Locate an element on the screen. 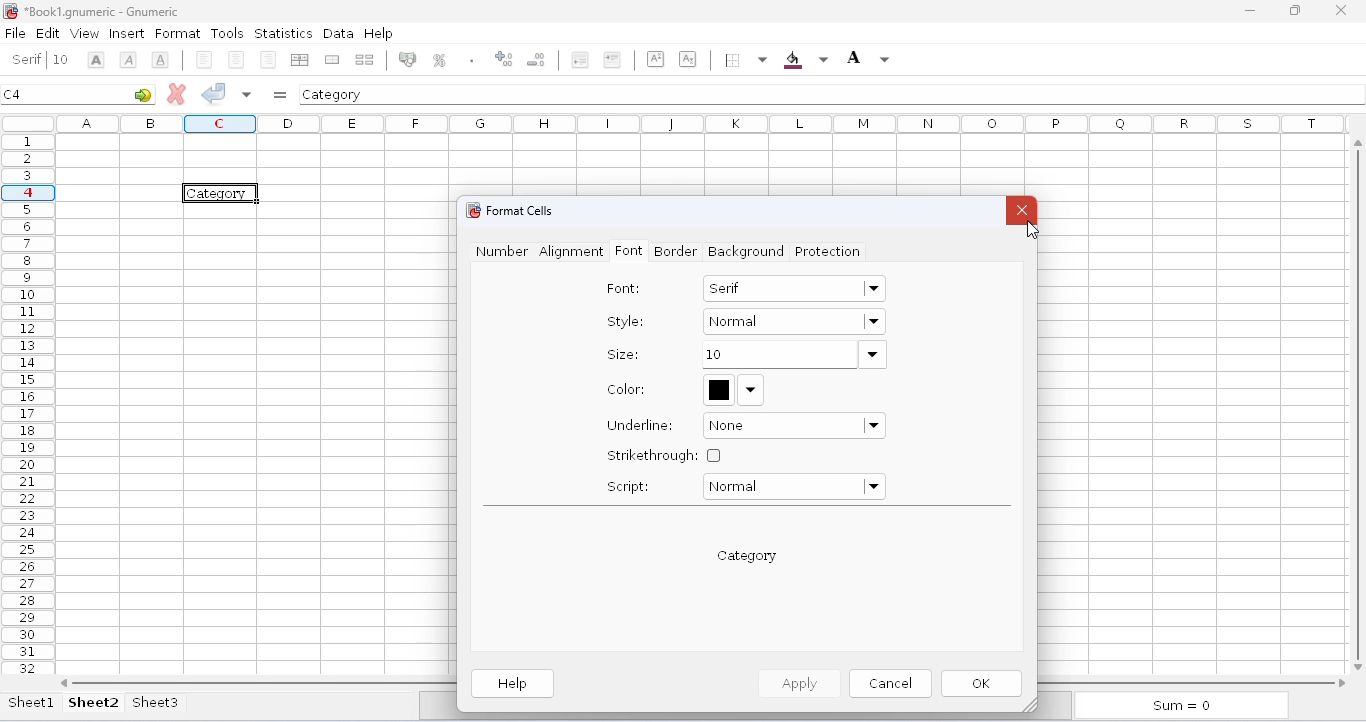 This screenshot has height=722, width=1366. center horizontally is located at coordinates (265, 60).